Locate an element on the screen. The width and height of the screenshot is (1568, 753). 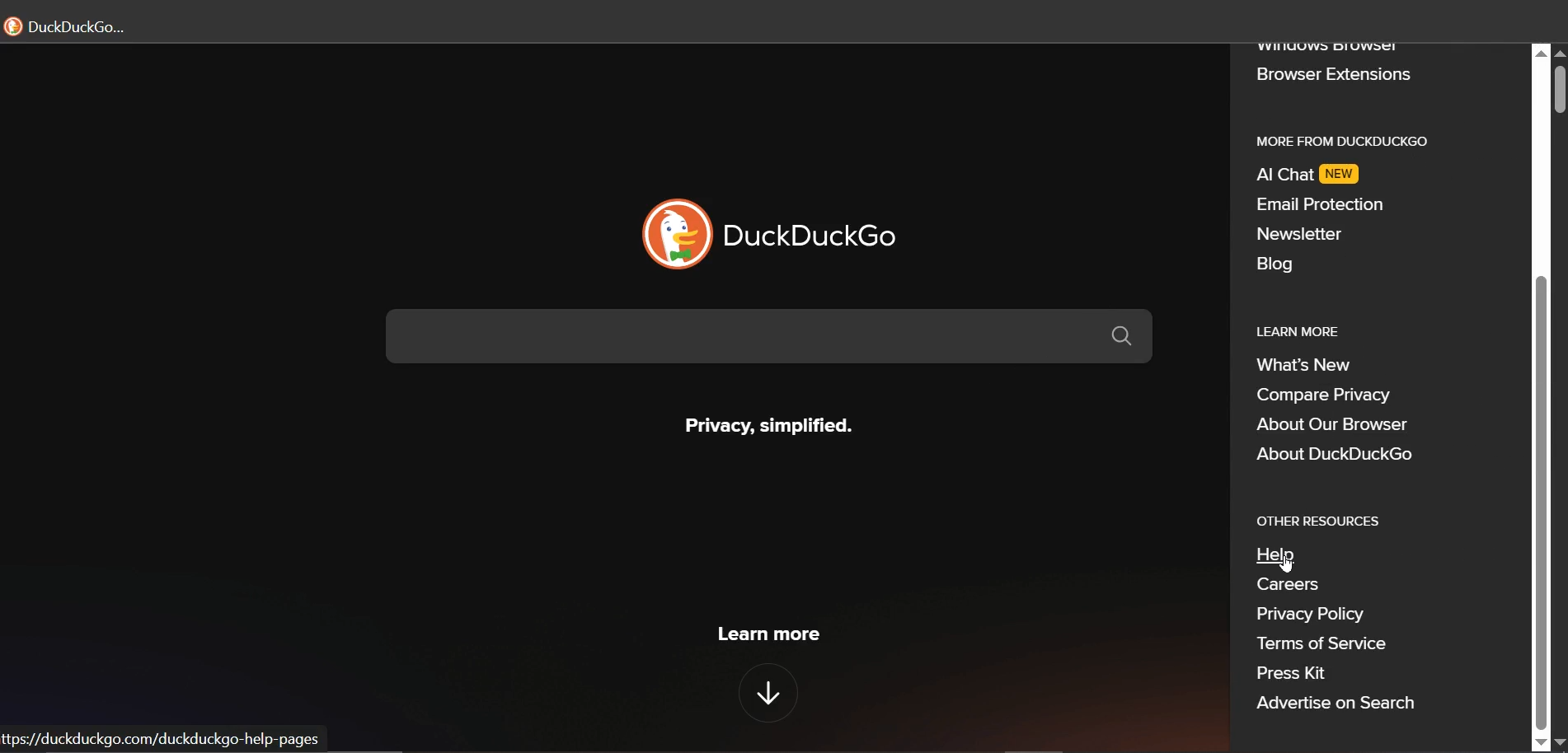
Windows Browser is located at coordinates (1329, 49).